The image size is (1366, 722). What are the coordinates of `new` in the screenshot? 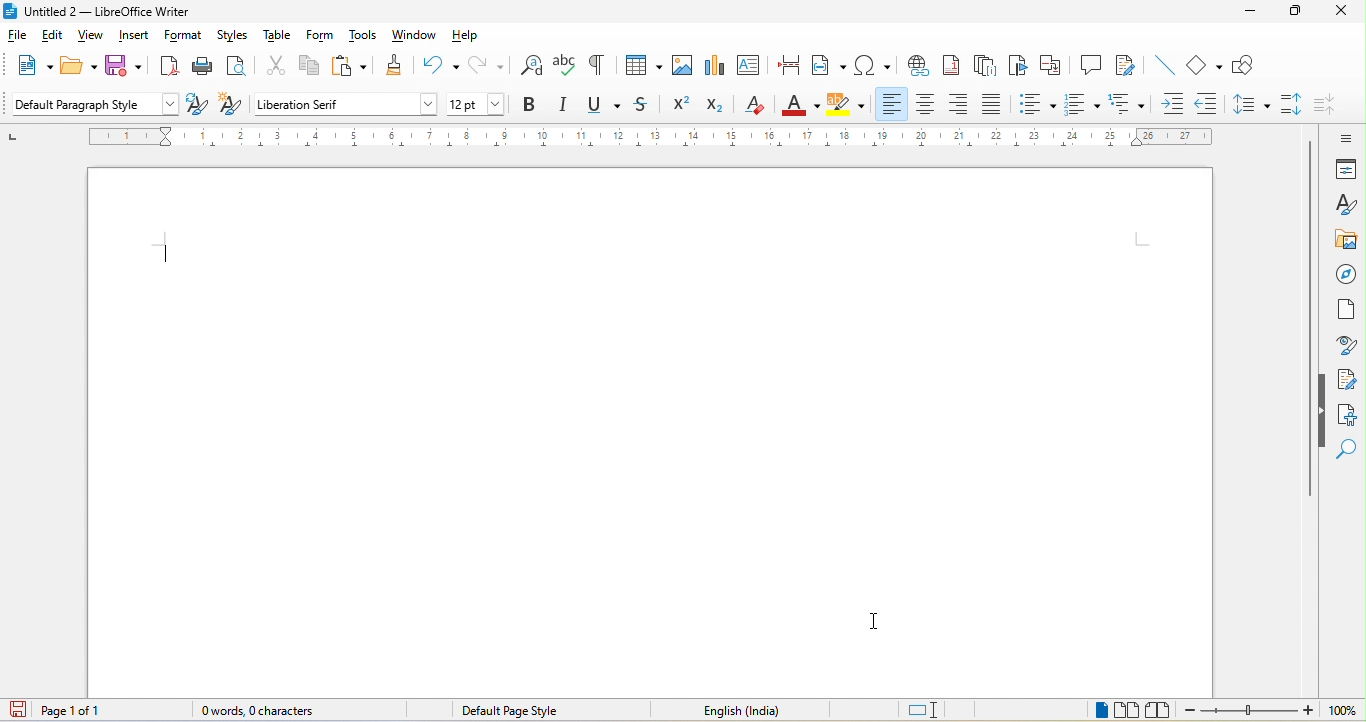 It's located at (30, 65).